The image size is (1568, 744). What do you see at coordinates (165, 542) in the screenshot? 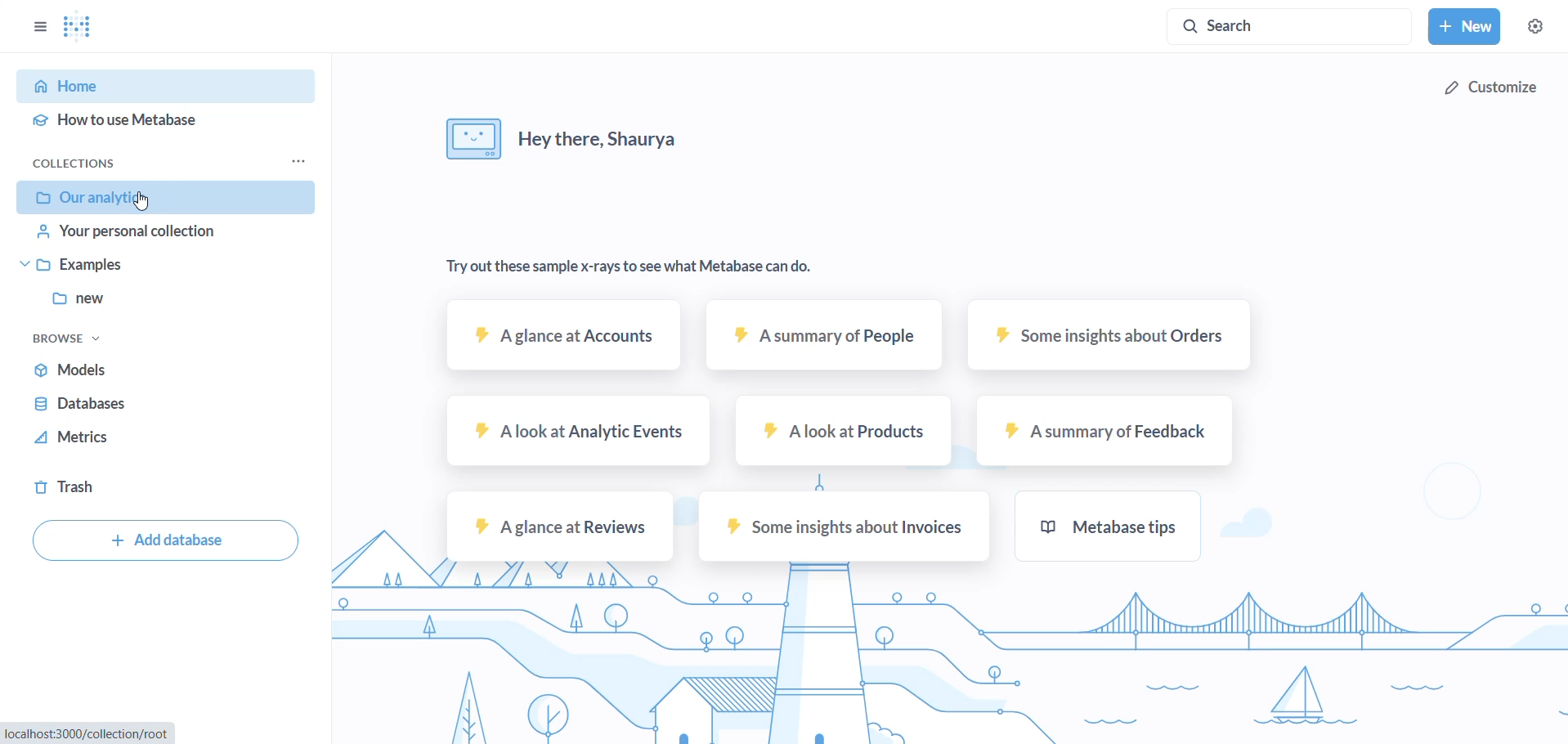
I see `add database` at bounding box center [165, 542].